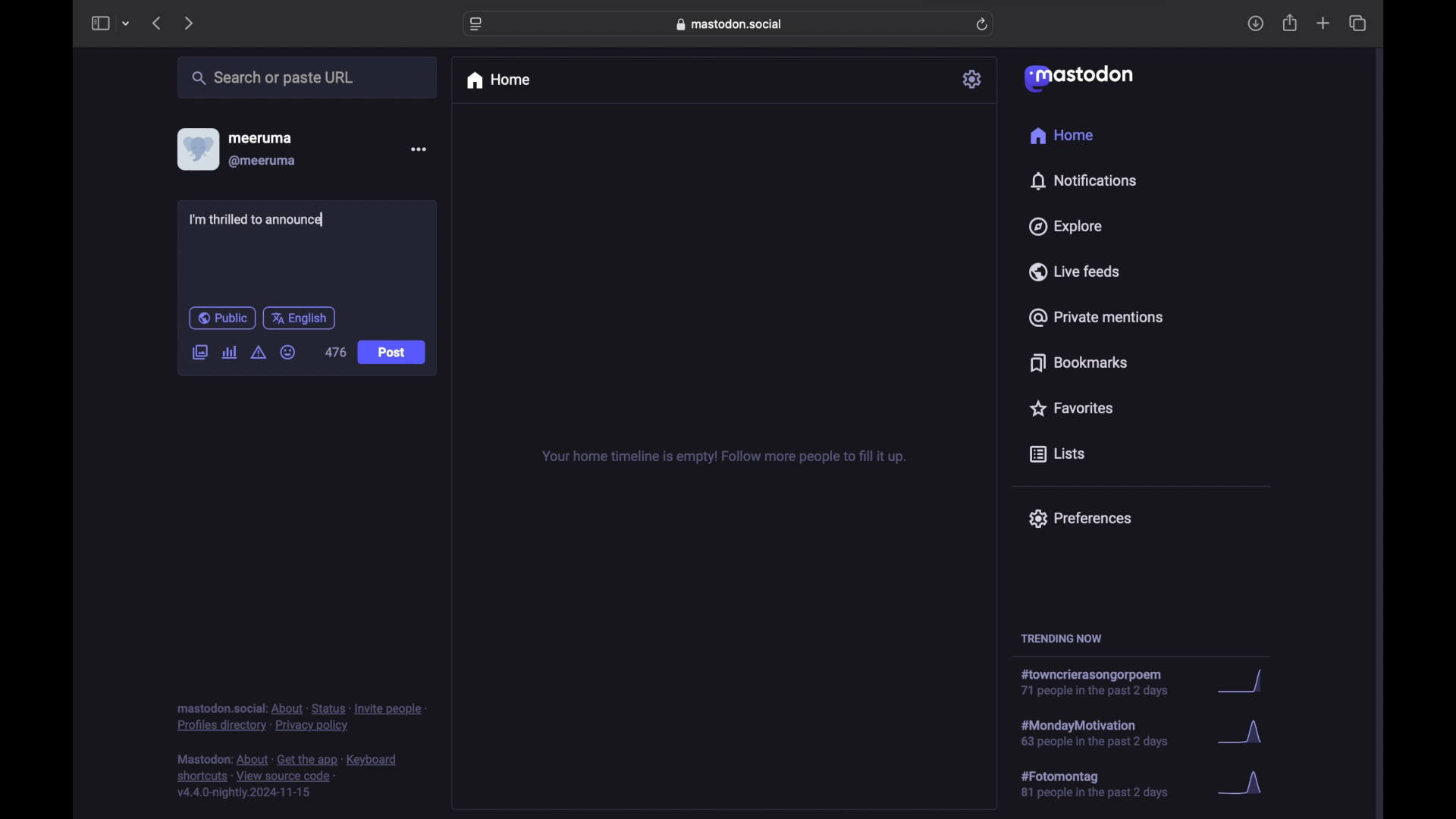  Describe the element at coordinates (156, 23) in the screenshot. I see `previous` at that location.